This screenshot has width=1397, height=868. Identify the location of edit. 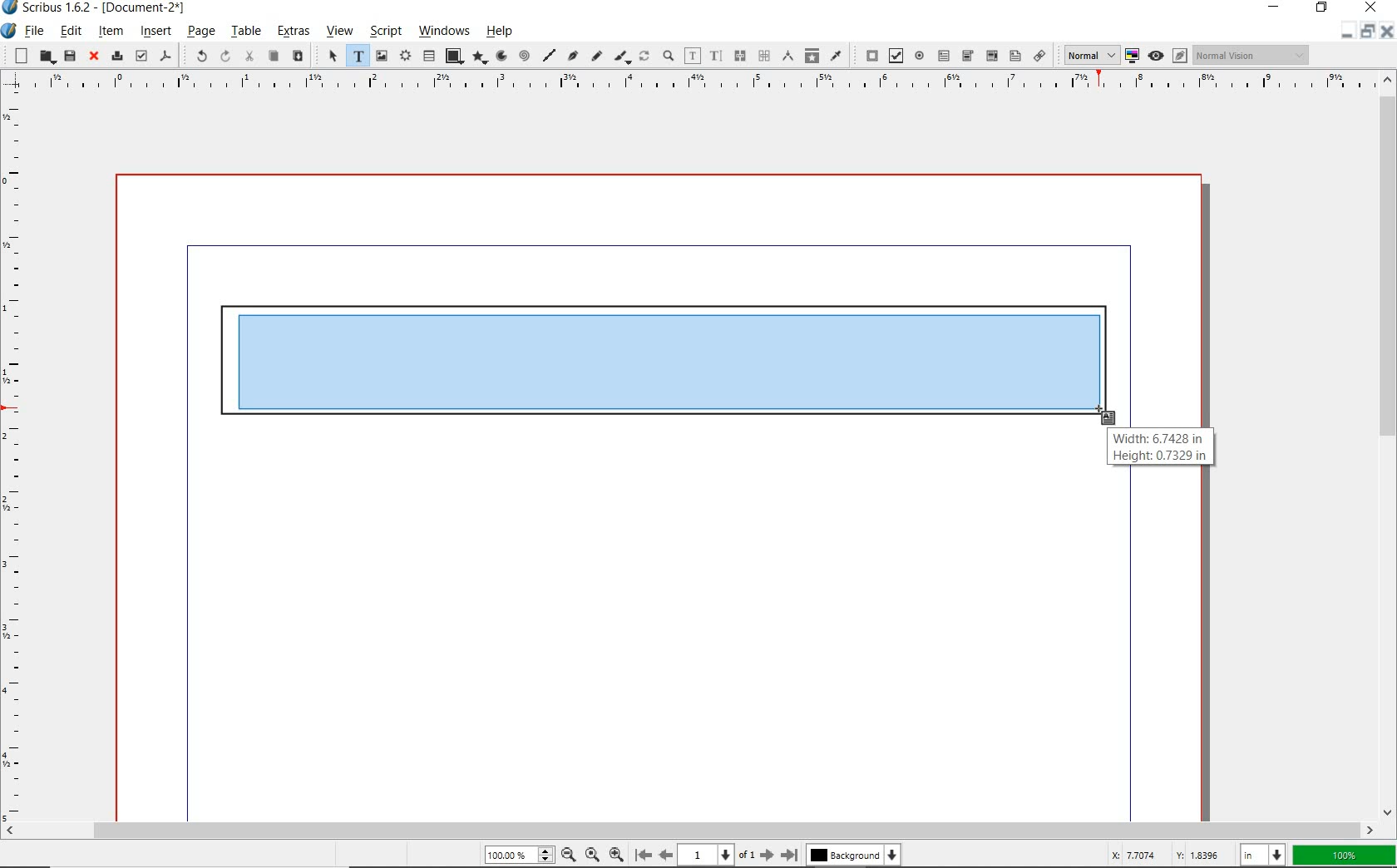
(72, 31).